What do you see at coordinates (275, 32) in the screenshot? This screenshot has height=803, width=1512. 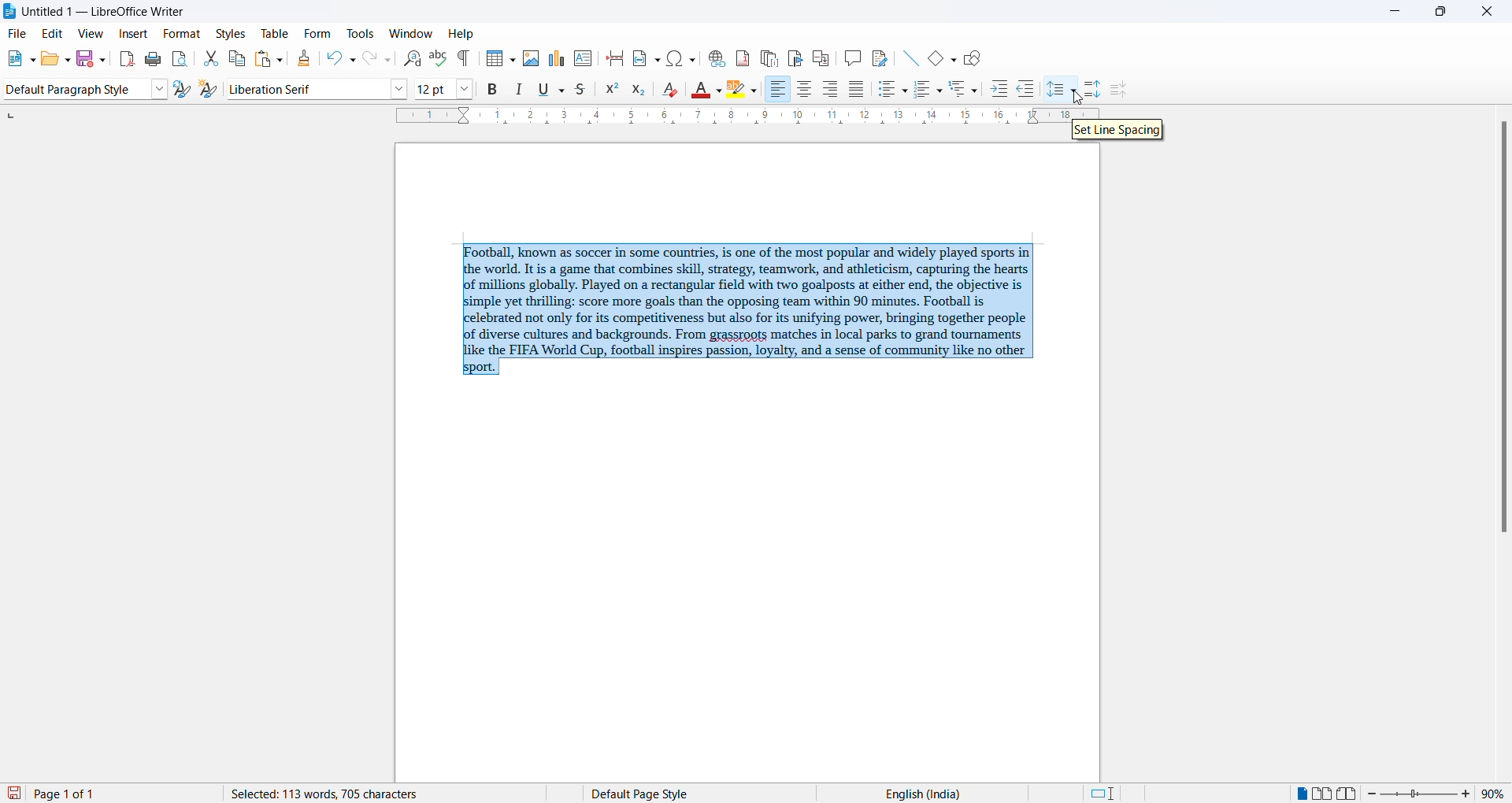 I see `table` at bounding box center [275, 32].